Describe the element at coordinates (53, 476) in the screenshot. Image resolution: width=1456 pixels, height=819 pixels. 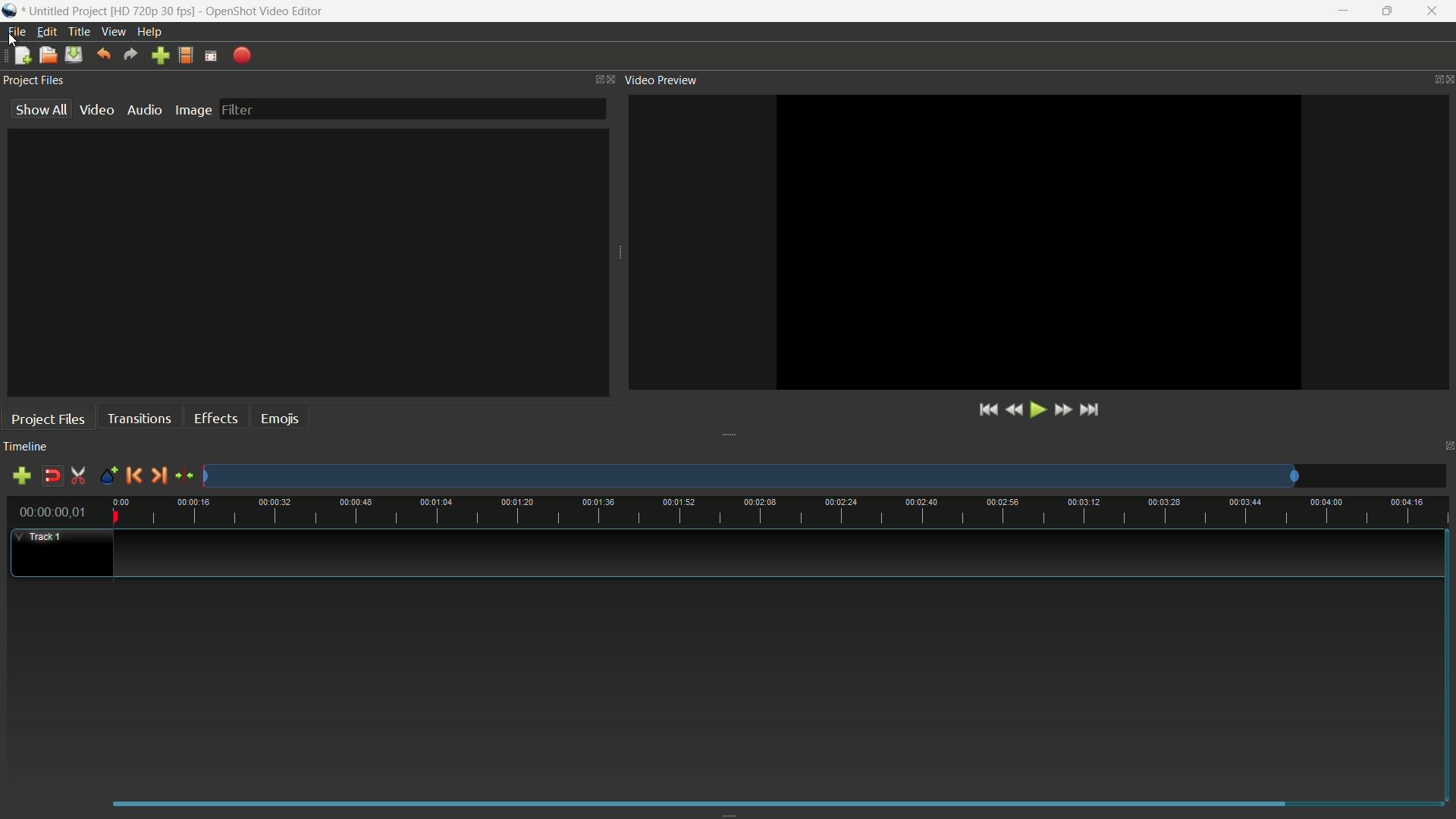
I see `disable snap` at that location.